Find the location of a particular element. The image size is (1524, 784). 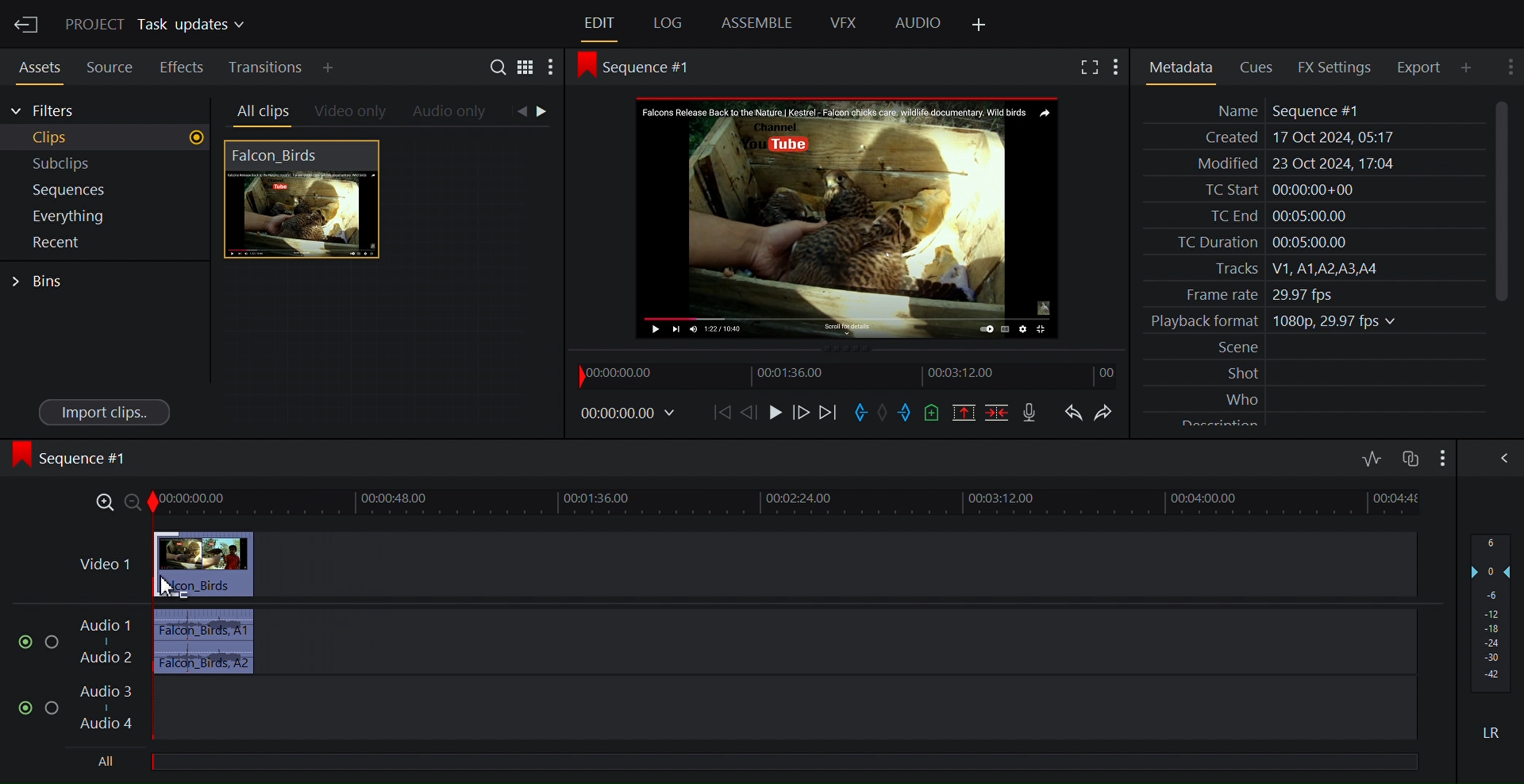

Mute is located at coordinates (1493, 732).